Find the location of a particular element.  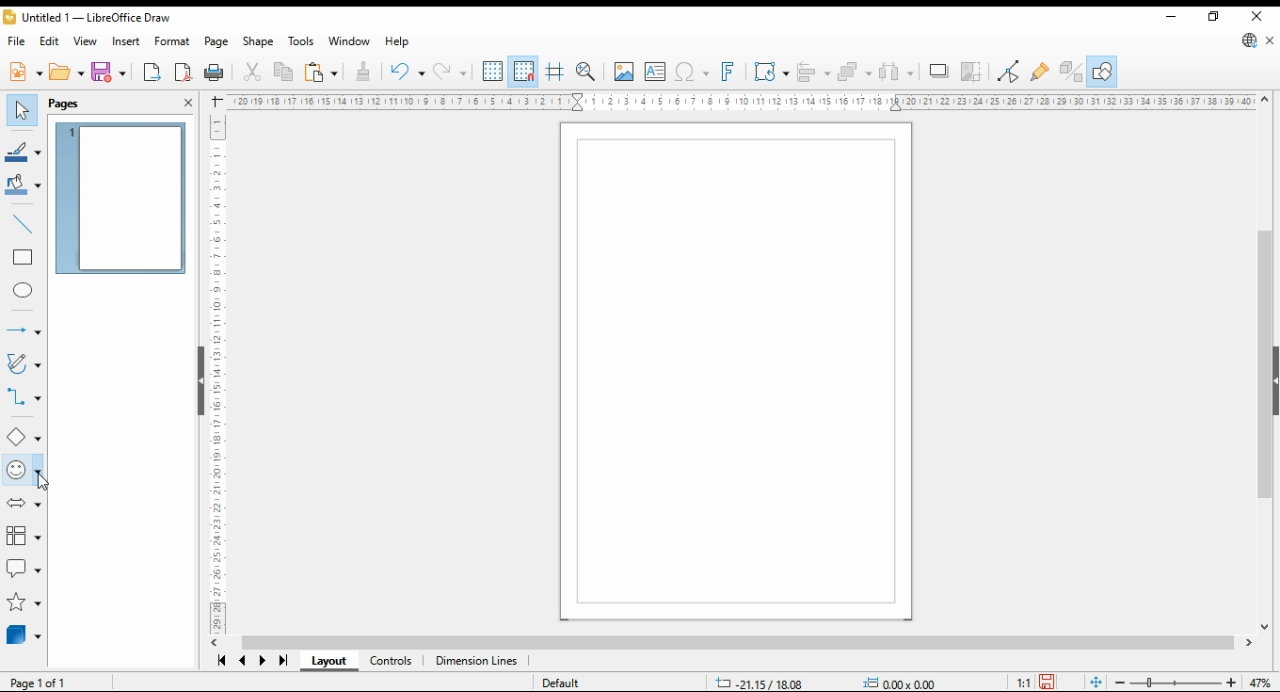

libre office draw update is located at coordinates (1250, 40).